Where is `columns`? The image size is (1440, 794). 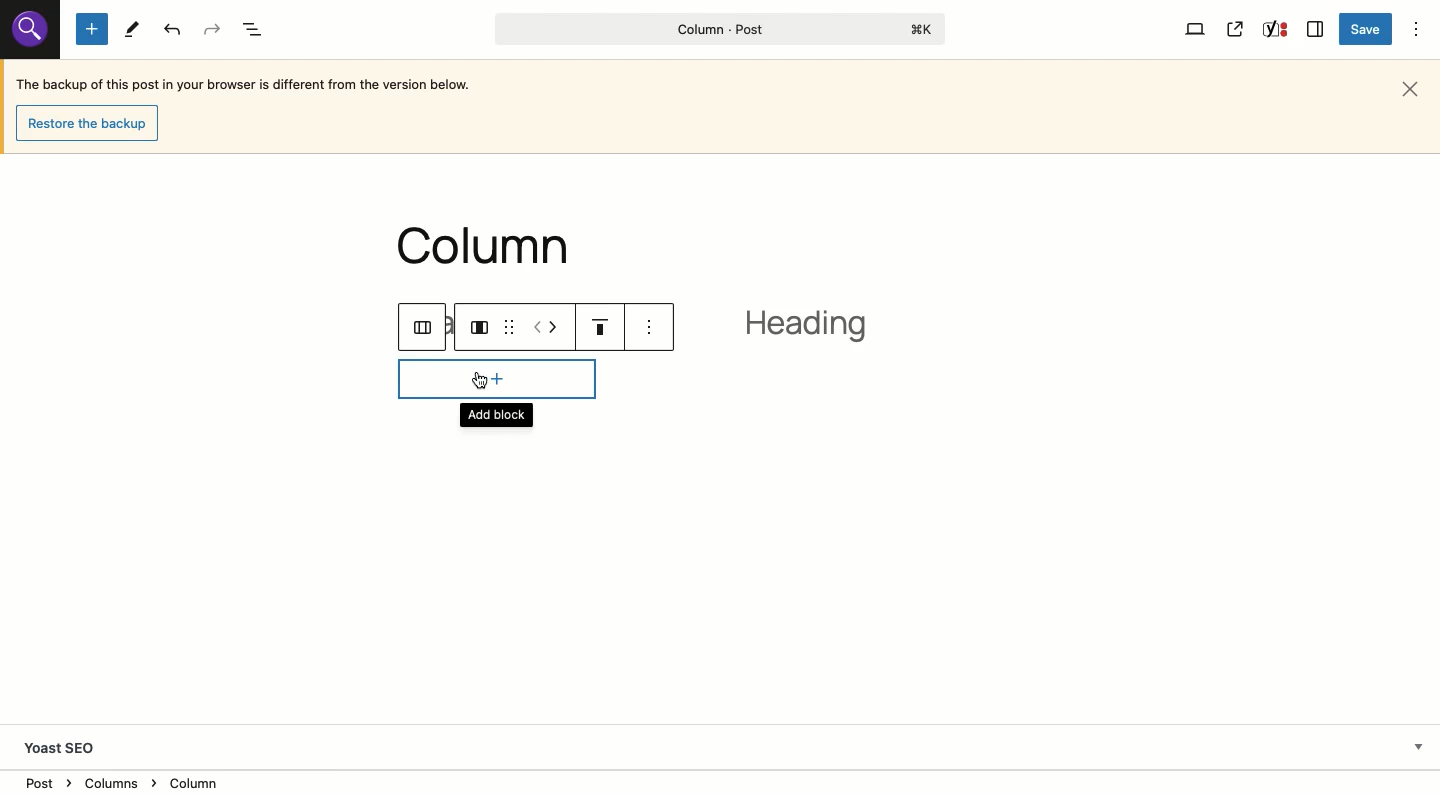 columns is located at coordinates (427, 330).